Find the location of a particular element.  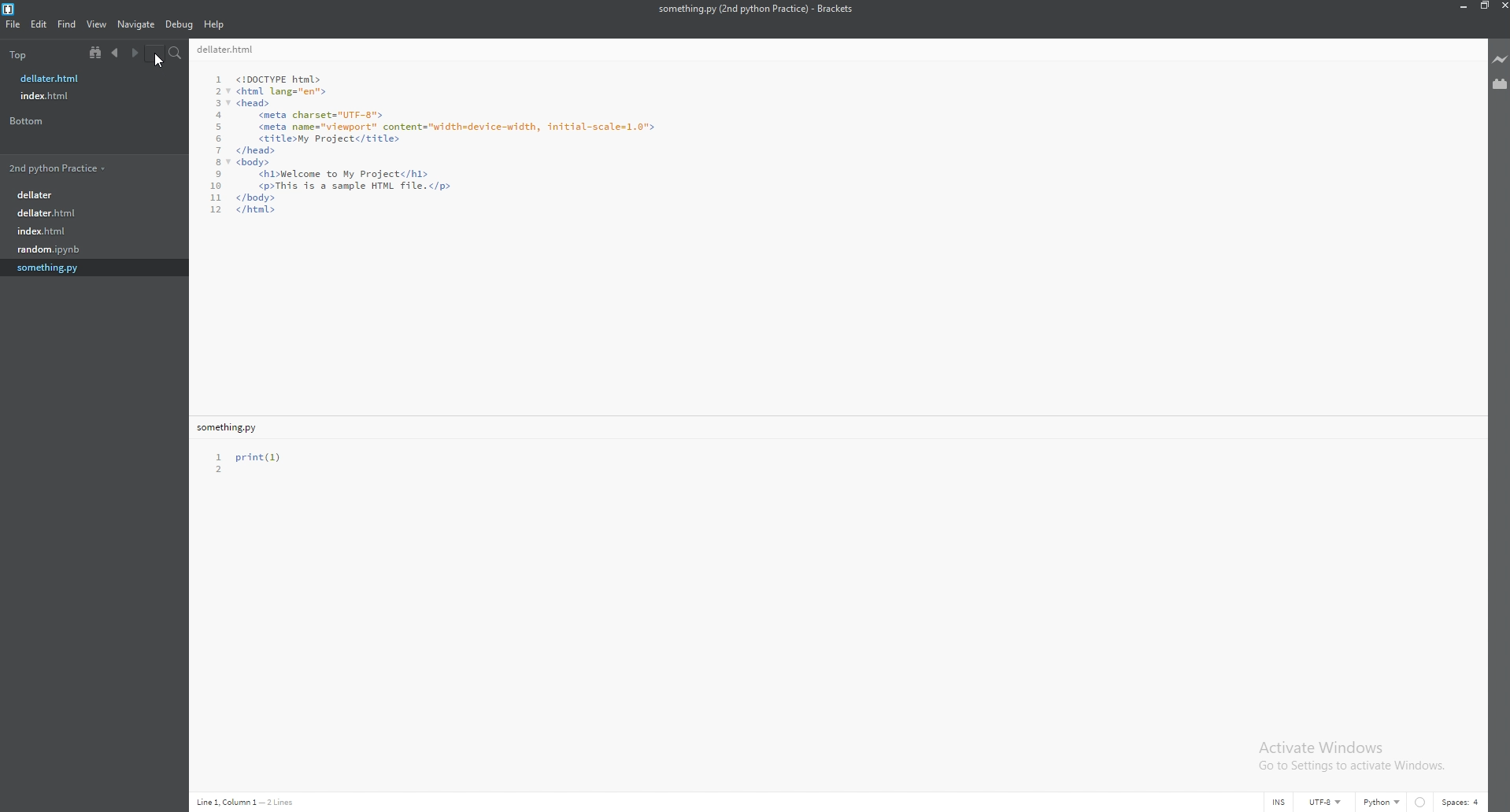

bottom is located at coordinates (46, 121).